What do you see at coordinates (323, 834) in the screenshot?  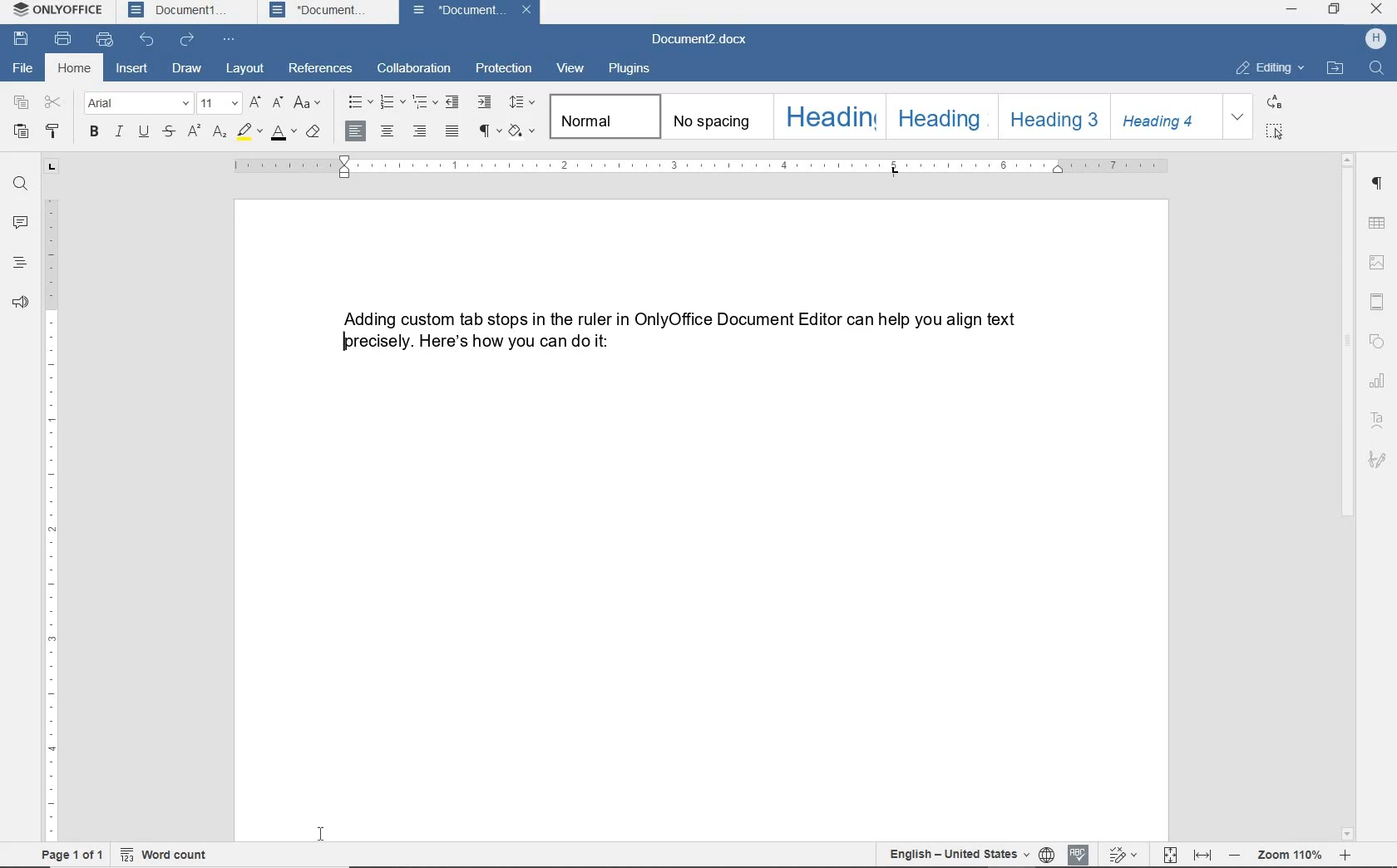 I see `cursor` at bounding box center [323, 834].